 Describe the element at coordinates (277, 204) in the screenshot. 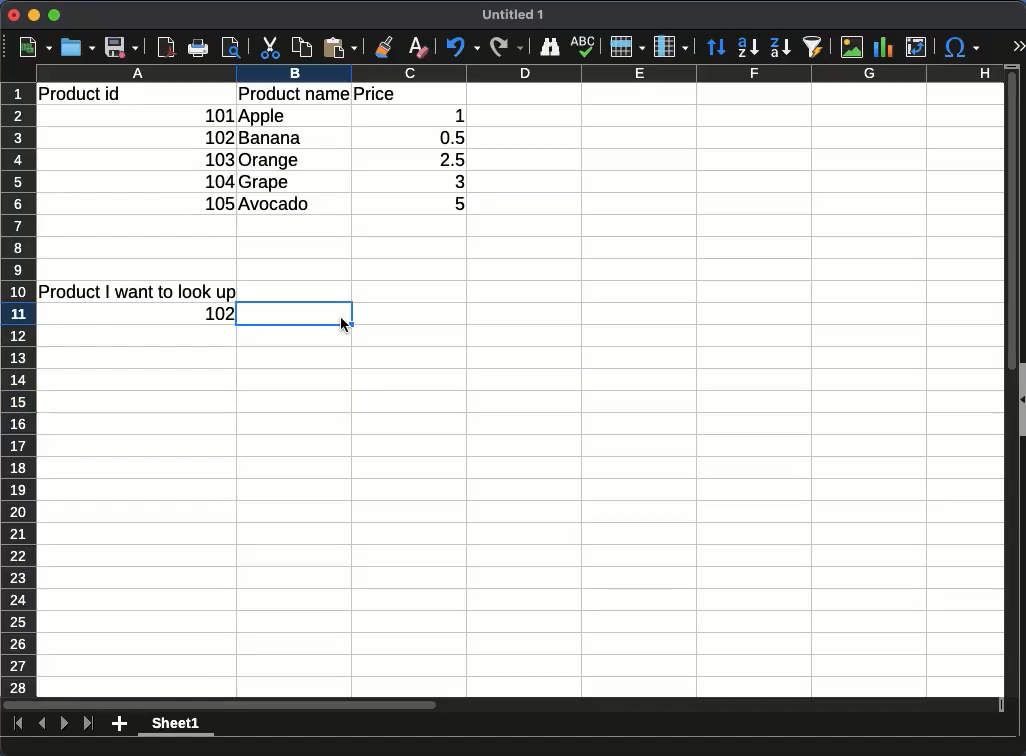

I see `avocado` at that location.